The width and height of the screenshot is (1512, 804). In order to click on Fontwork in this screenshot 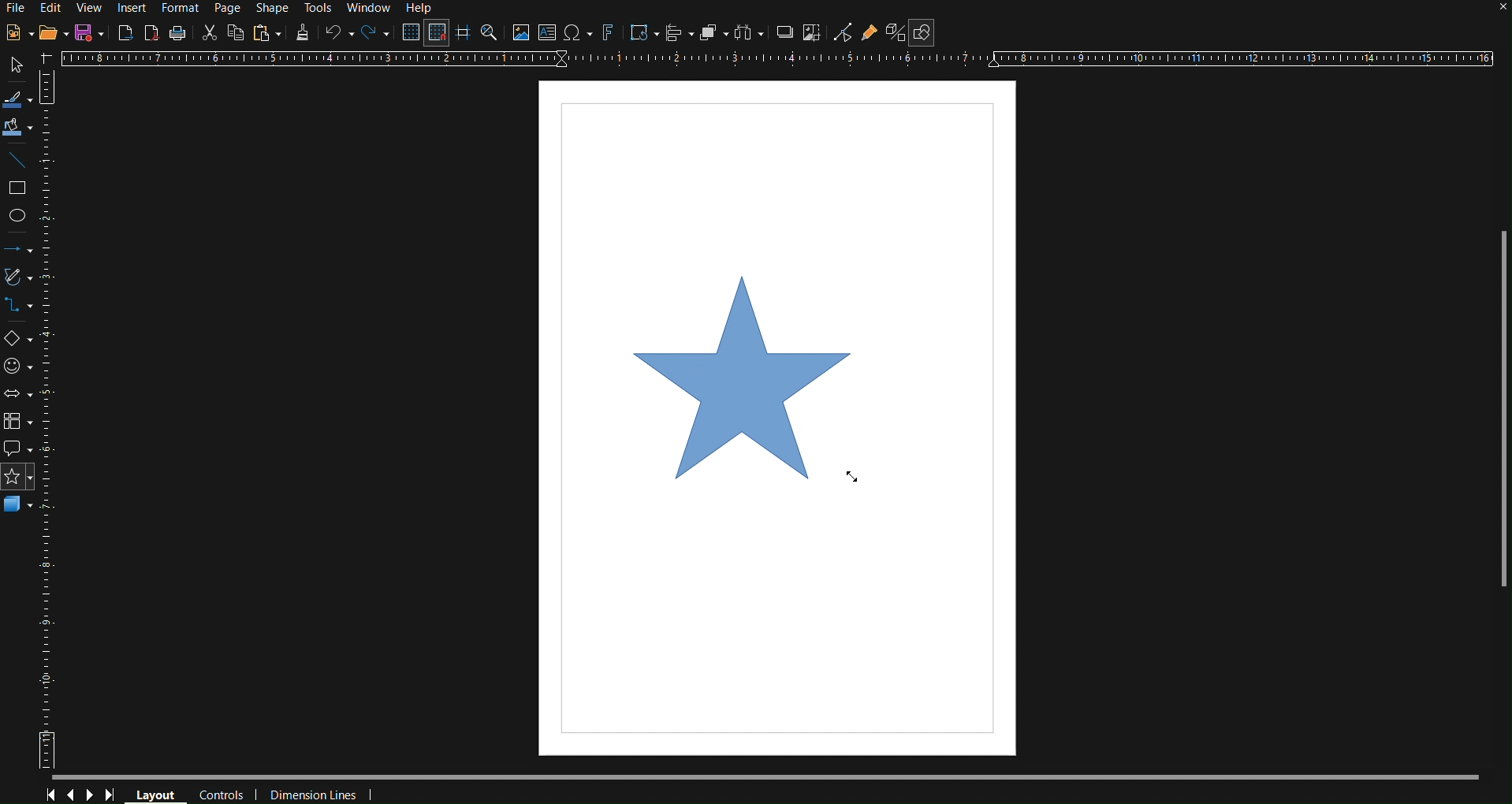, I will do `click(609, 34)`.